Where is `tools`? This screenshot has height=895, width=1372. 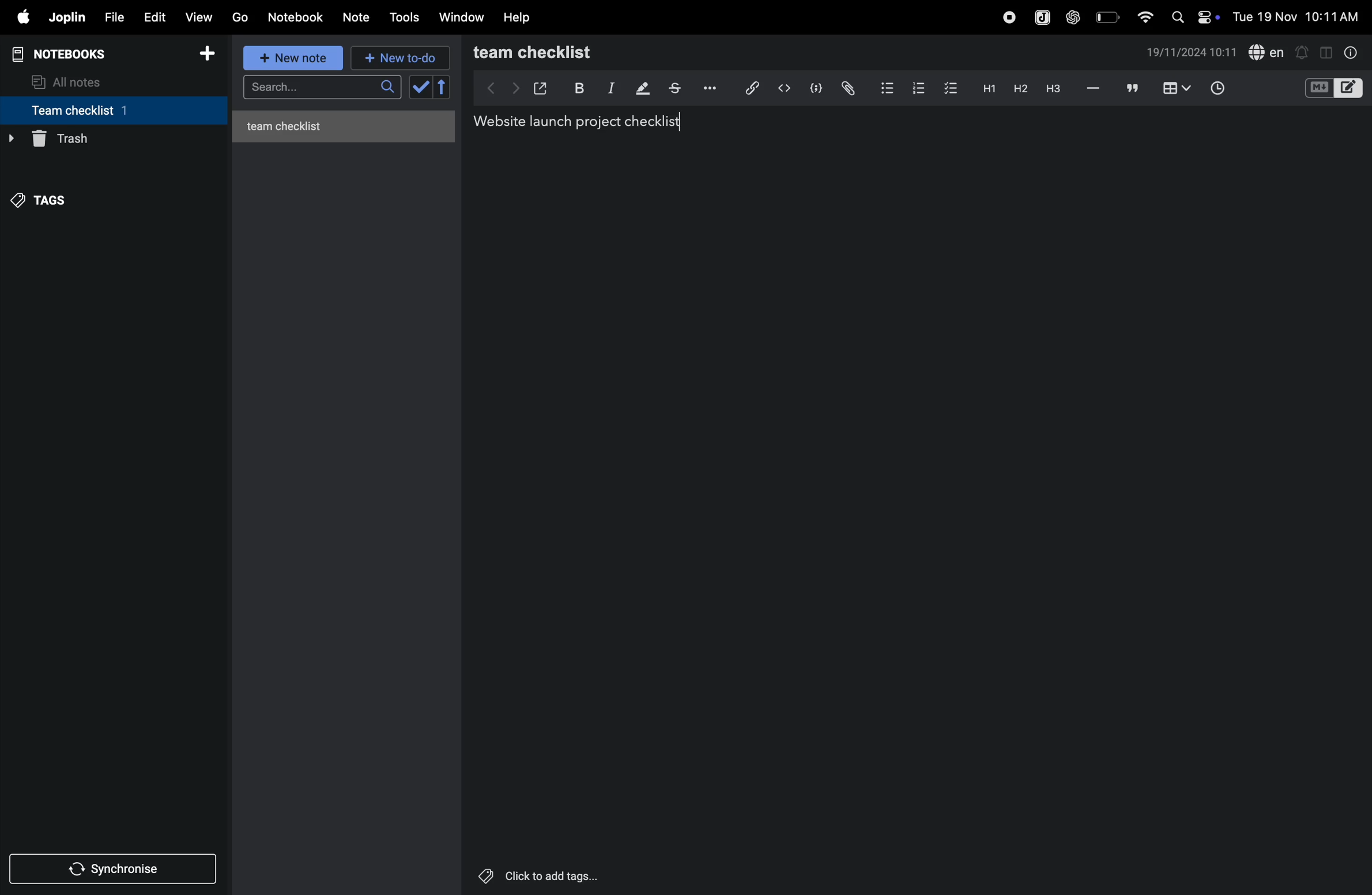 tools is located at coordinates (406, 17).